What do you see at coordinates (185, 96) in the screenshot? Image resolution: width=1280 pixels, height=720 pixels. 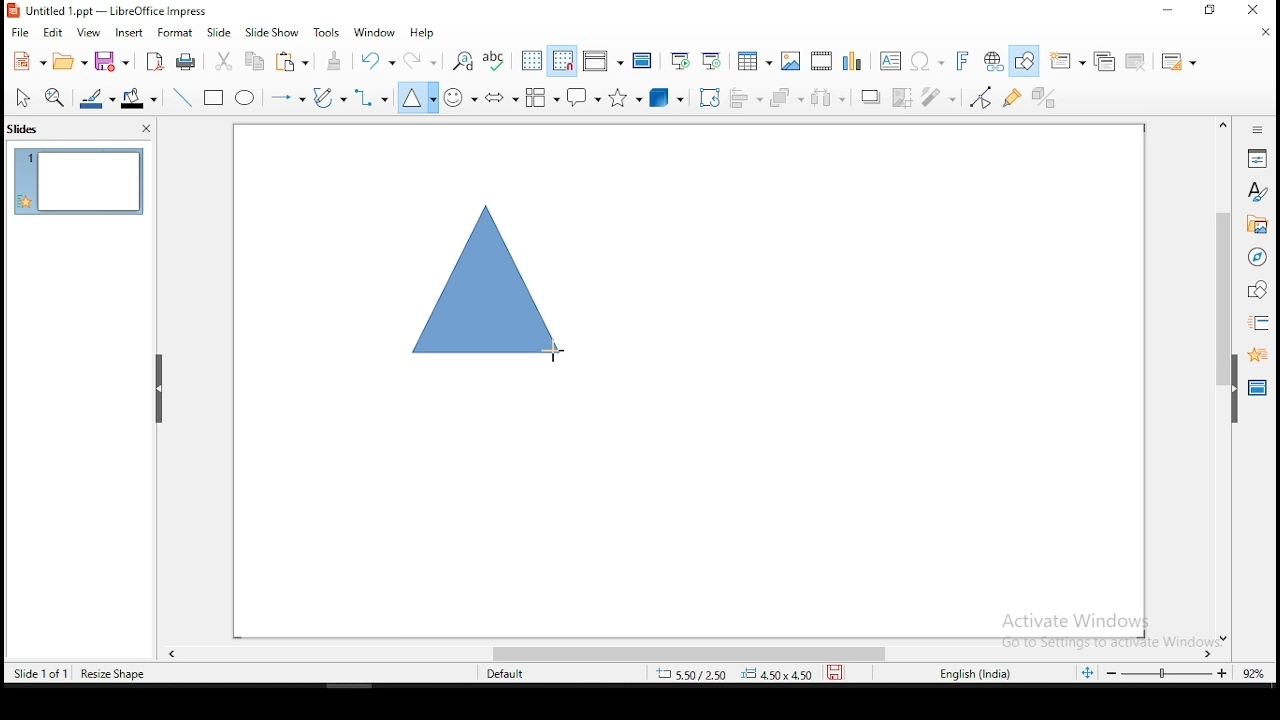 I see `line` at bounding box center [185, 96].